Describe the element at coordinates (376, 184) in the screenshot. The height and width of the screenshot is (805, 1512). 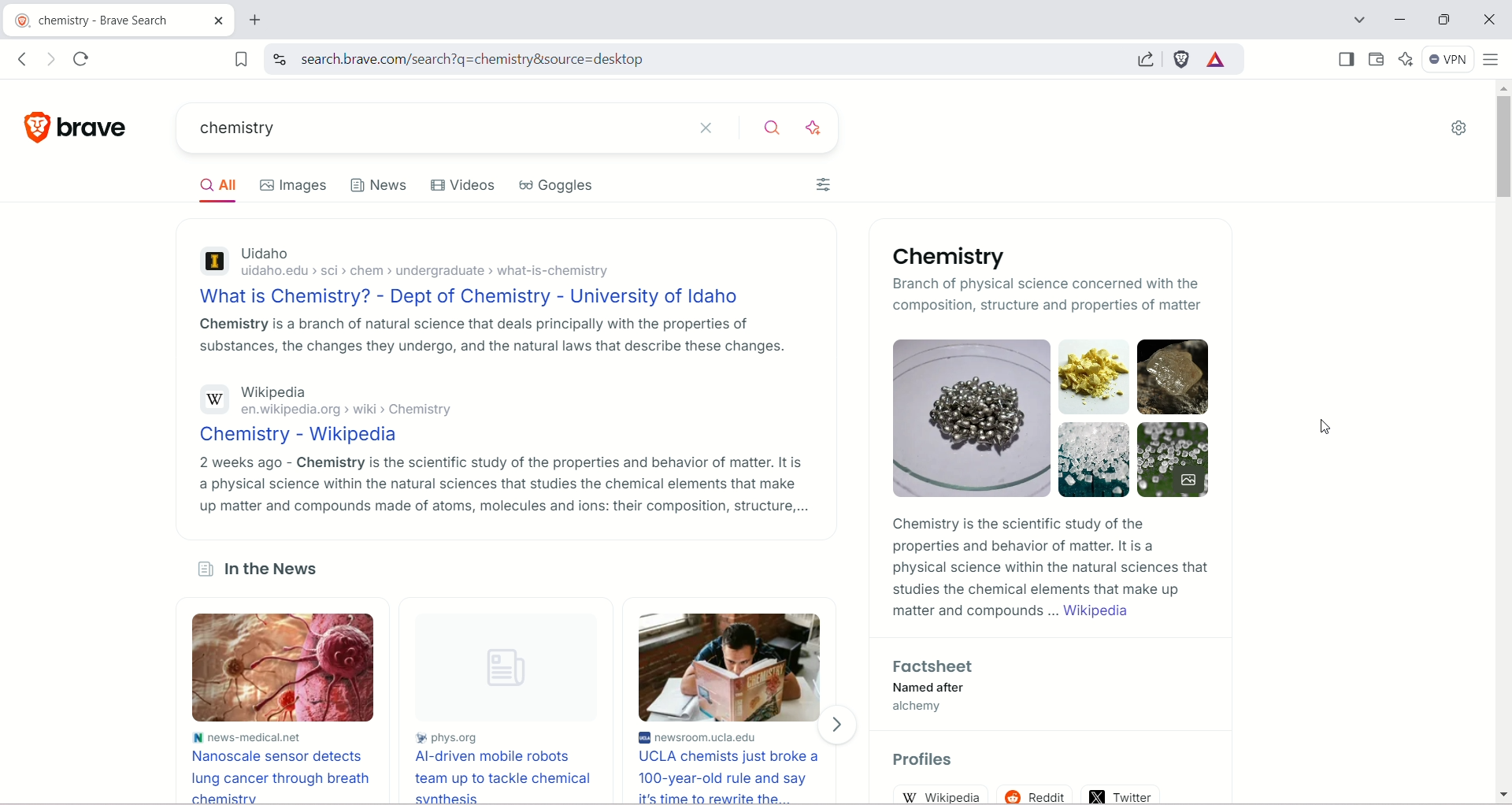
I see `News` at that location.